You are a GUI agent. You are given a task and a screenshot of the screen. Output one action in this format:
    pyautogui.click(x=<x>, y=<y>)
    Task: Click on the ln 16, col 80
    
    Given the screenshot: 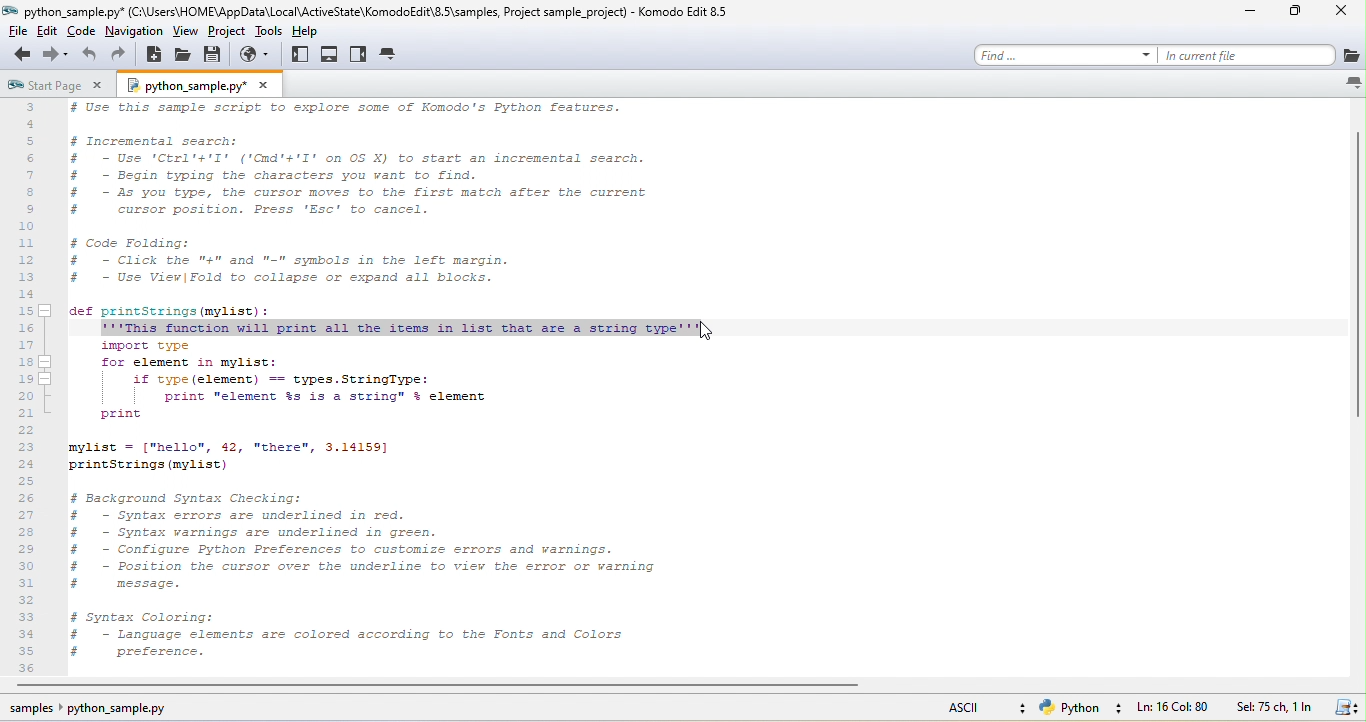 What is the action you would take?
    pyautogui.click(x=1175, y=708)
    